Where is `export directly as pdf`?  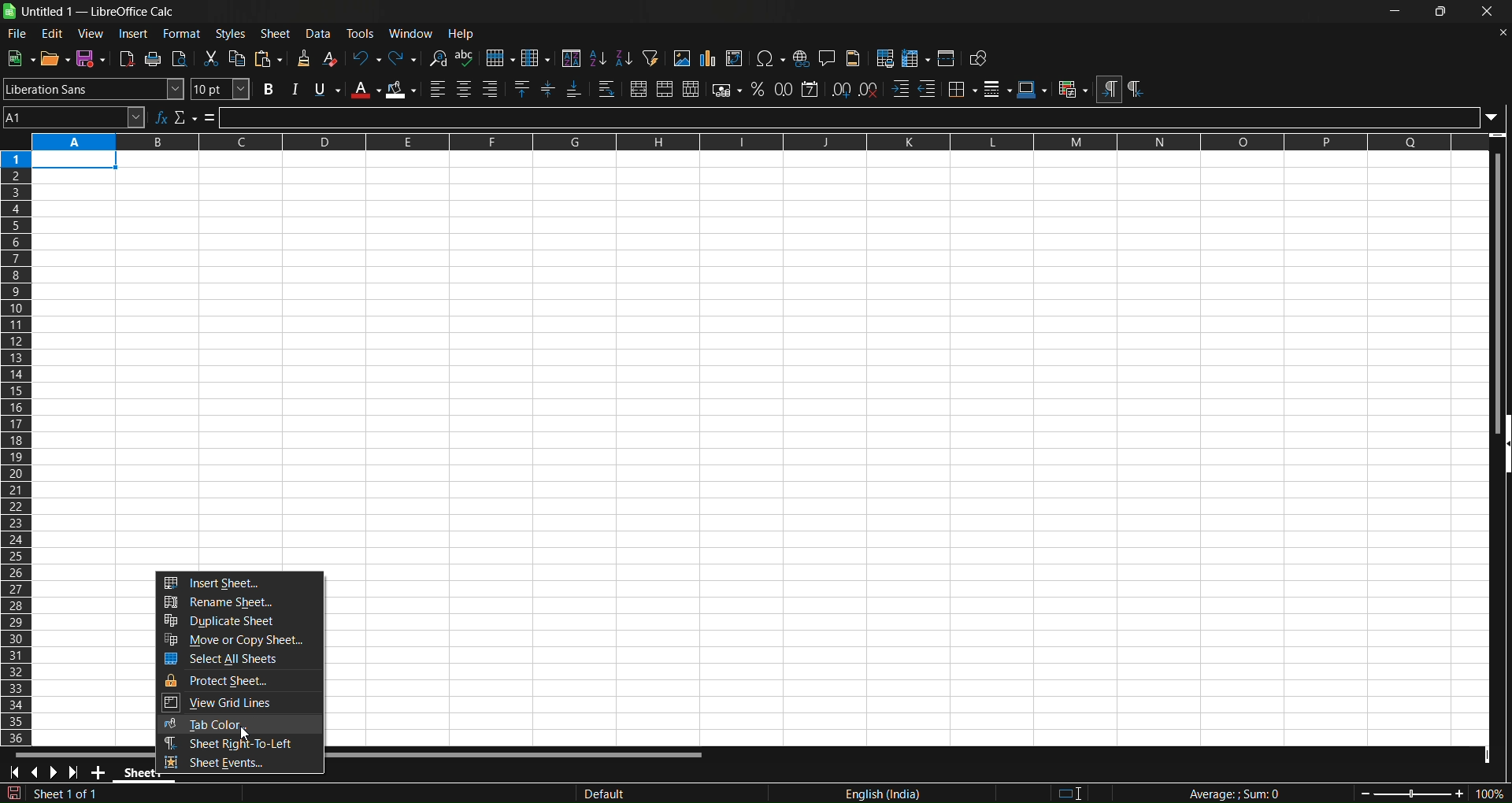
export directly as pdf is located at coordinates (128, 58).